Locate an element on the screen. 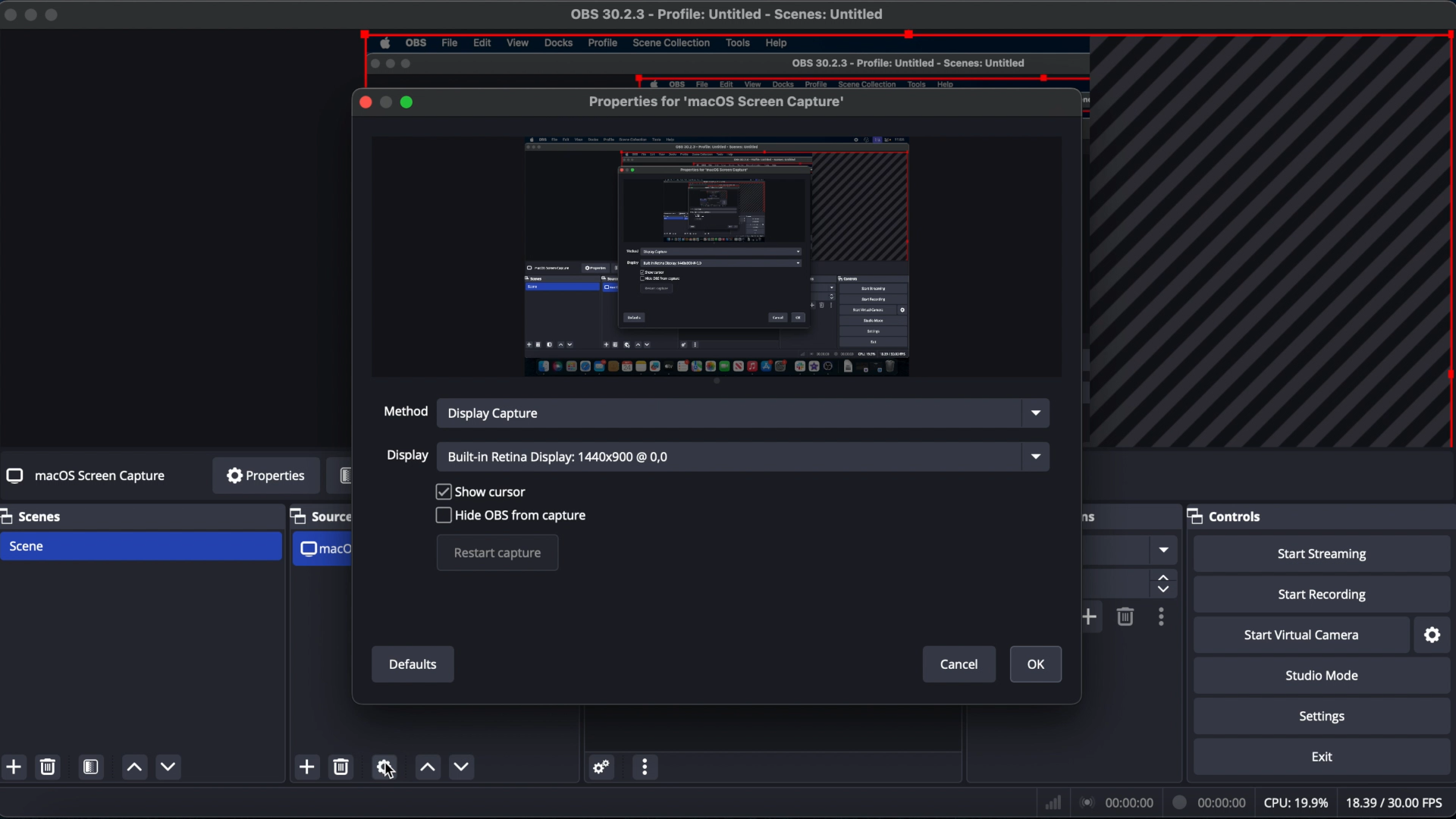 This screenshot has width=1456, height=819. properties for 'macOS Screen Capture' is located at coordinates (718, 96).